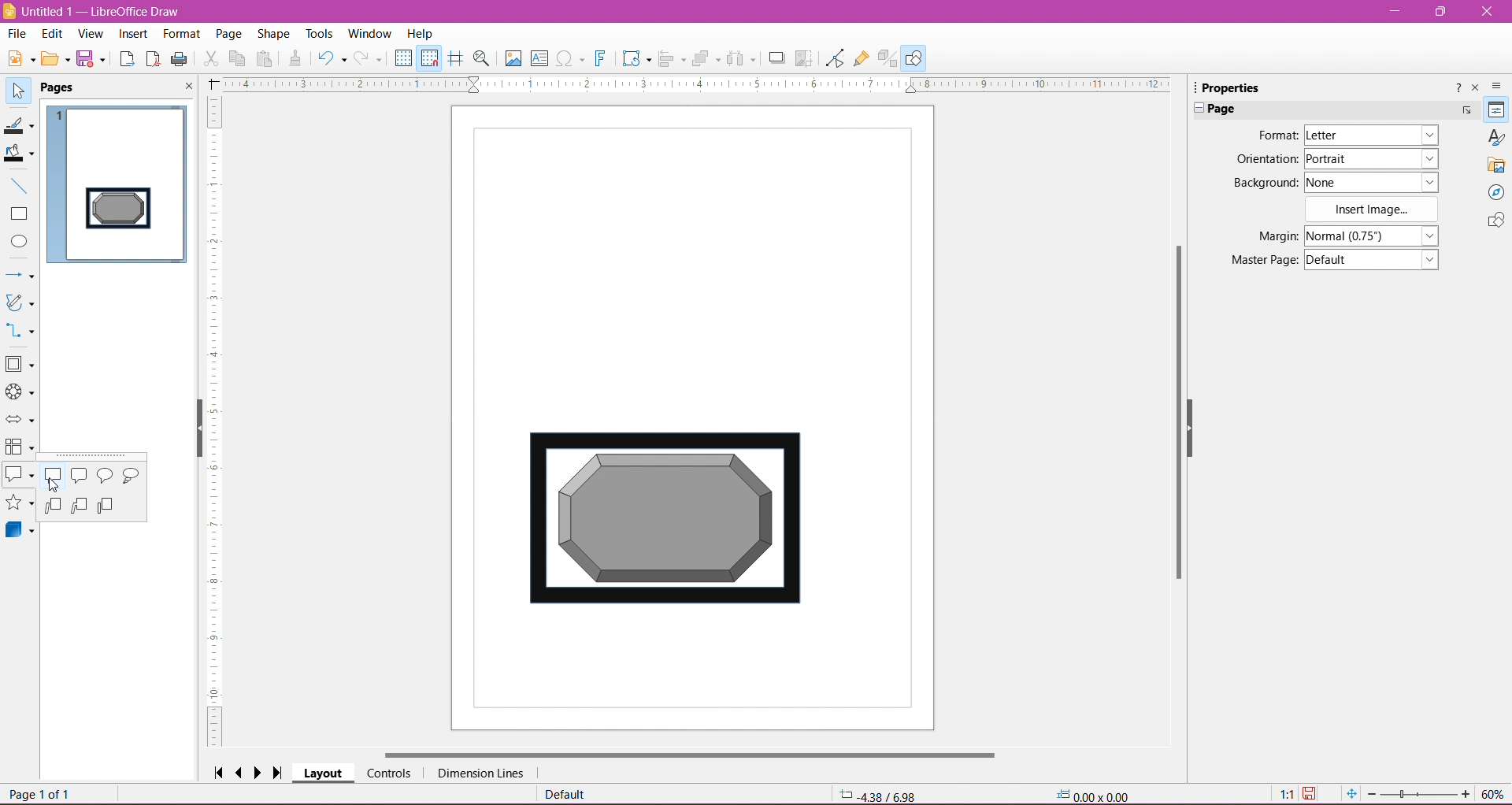 Image resolution: width=1512 pixels, height=805 pixels. I want to click on Cut, so click(210, 60).